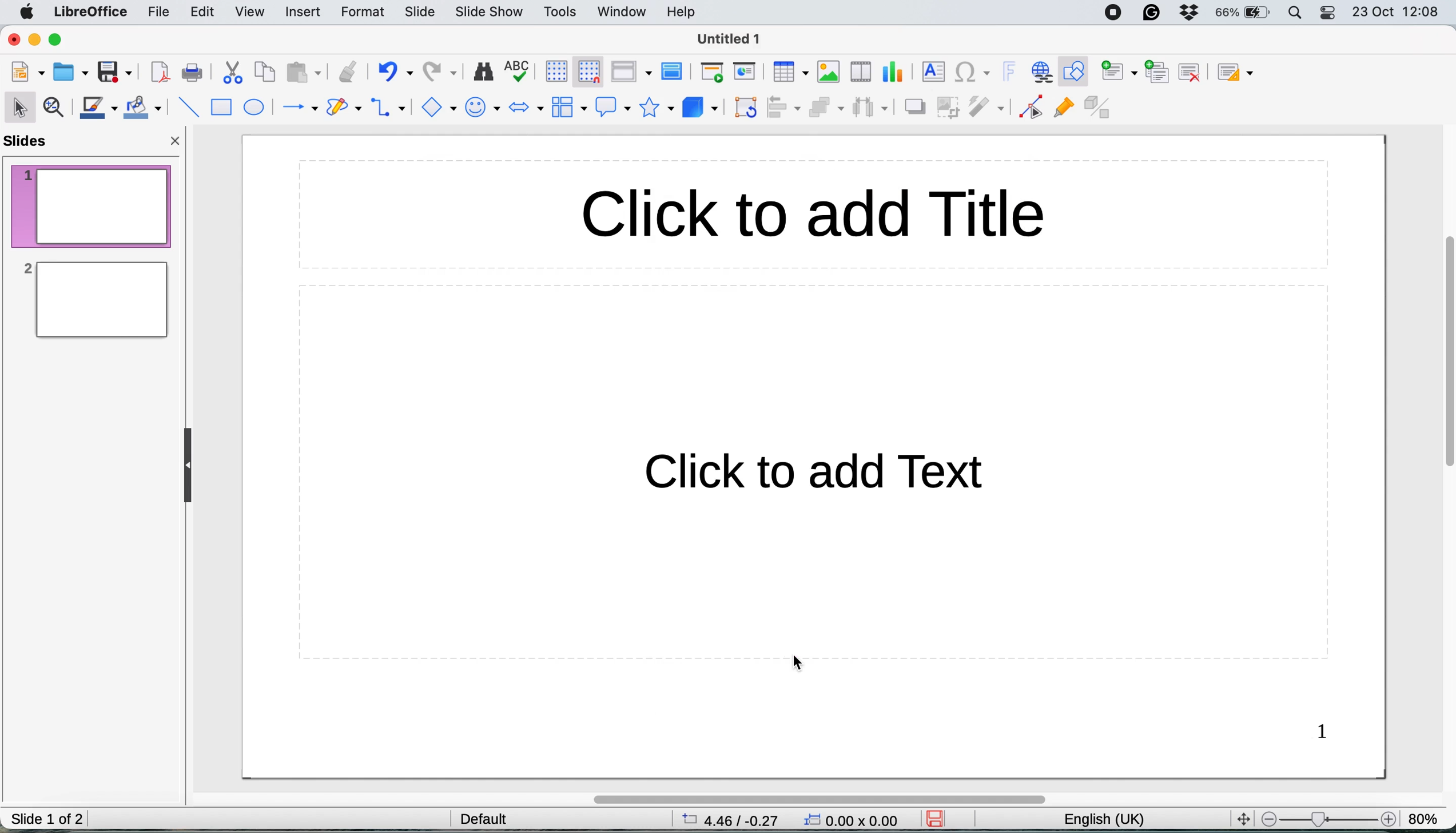 This screenshot has width=1456, height=833. I want to click on zoom factor, so click(1425, 814).